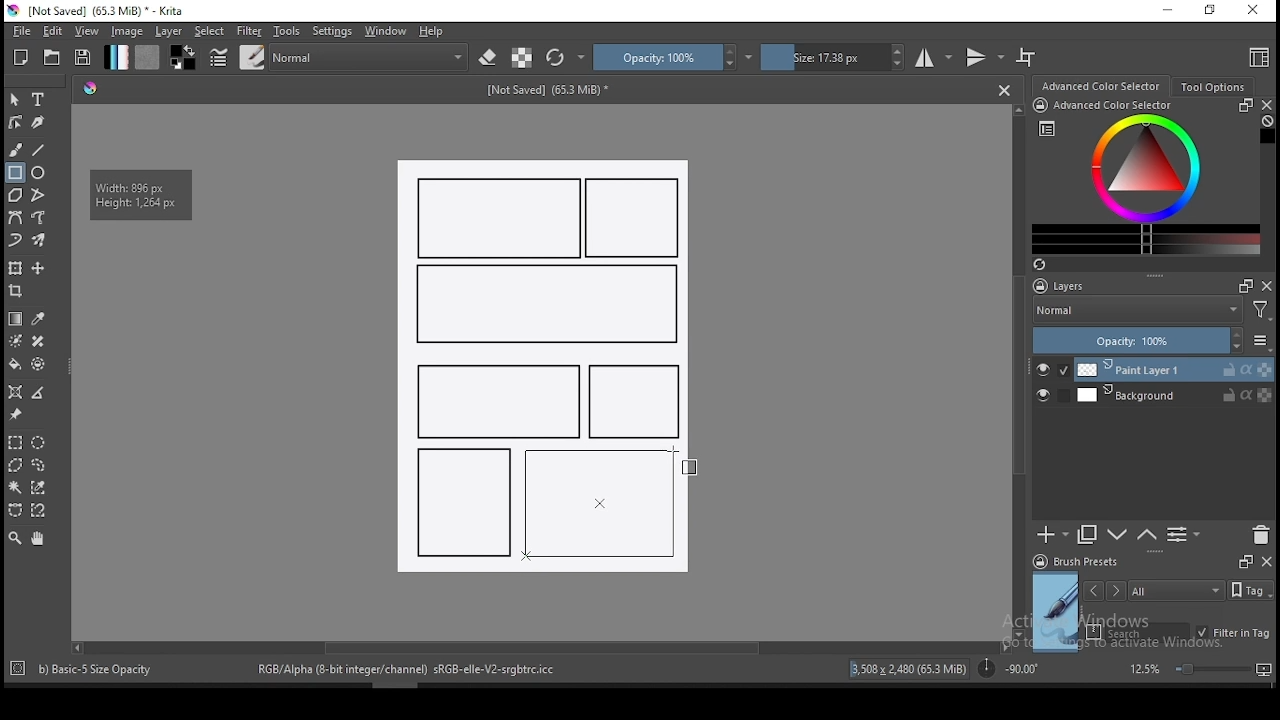  I want to click on brush settings, so click(217, 57).